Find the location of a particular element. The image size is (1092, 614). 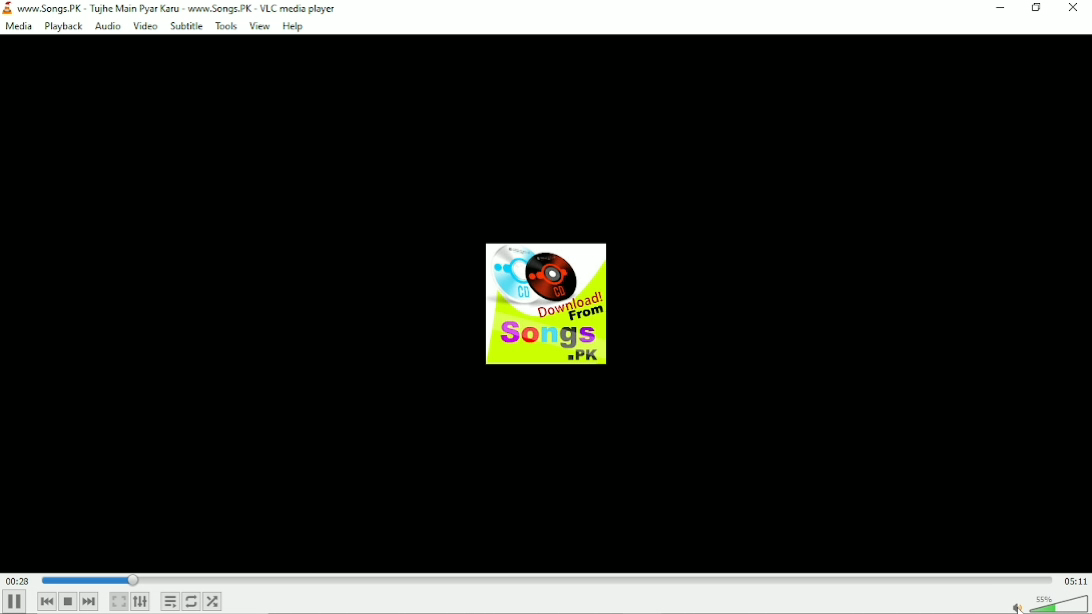

Audio is located at coordinates (106, 26).